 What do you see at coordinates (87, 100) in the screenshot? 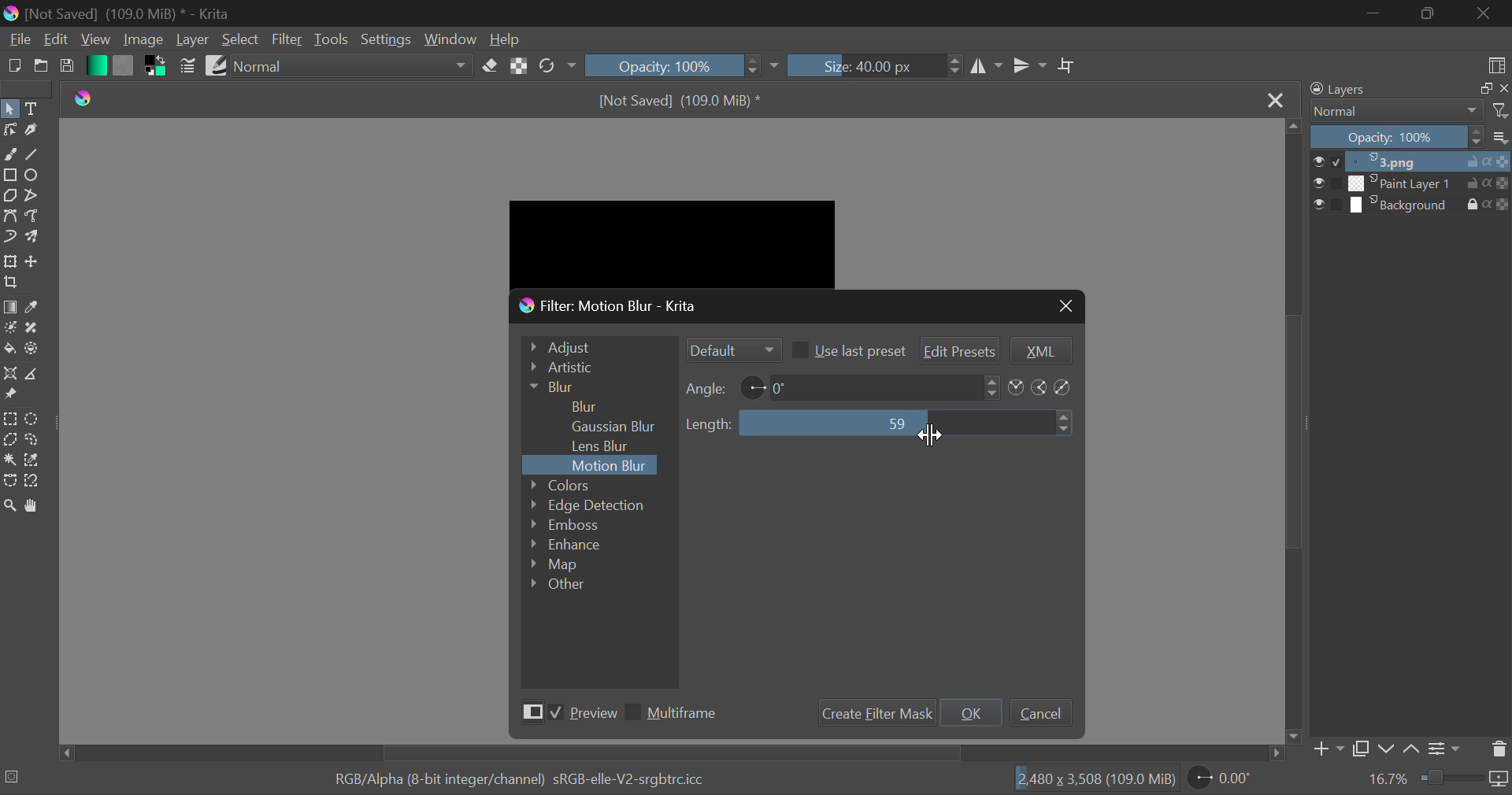
I see `Krita Logo` at bounding box center [87, 100].